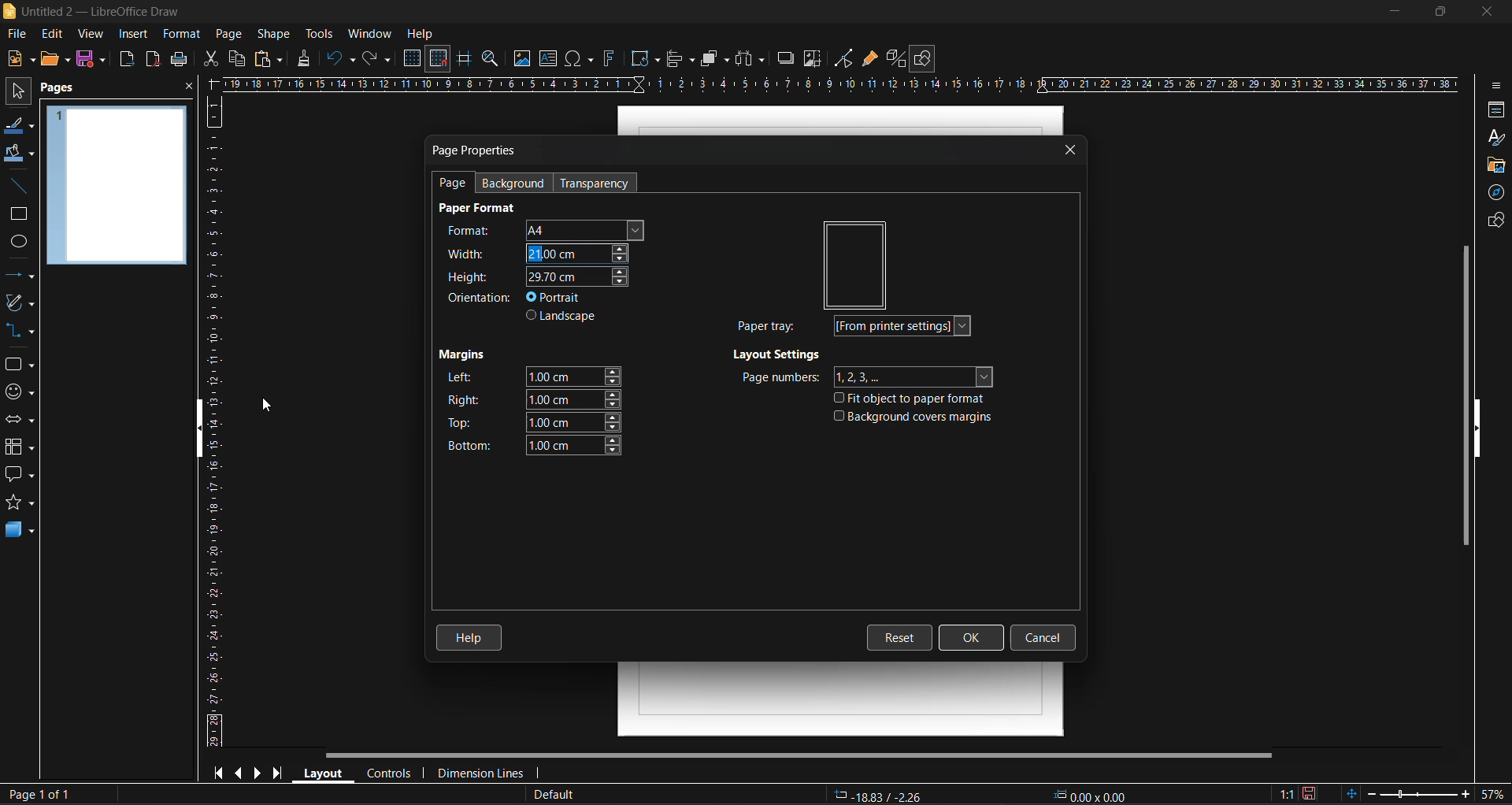 The height and width of the screenshot is (805, 1512). Describe the element at coordinates (902, 636) in the screenshot. I see `reset` at that location.